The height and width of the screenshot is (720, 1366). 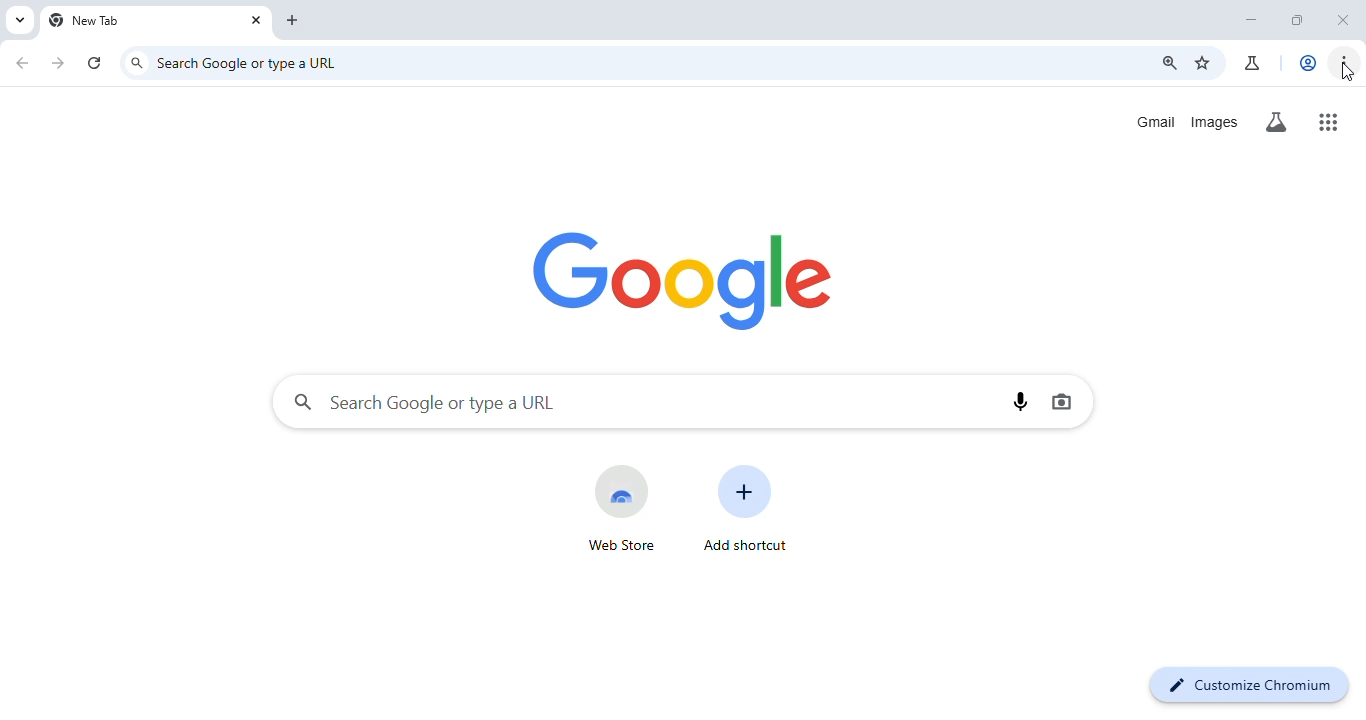 I want to click on add new tab, so click(x=295, y=20).